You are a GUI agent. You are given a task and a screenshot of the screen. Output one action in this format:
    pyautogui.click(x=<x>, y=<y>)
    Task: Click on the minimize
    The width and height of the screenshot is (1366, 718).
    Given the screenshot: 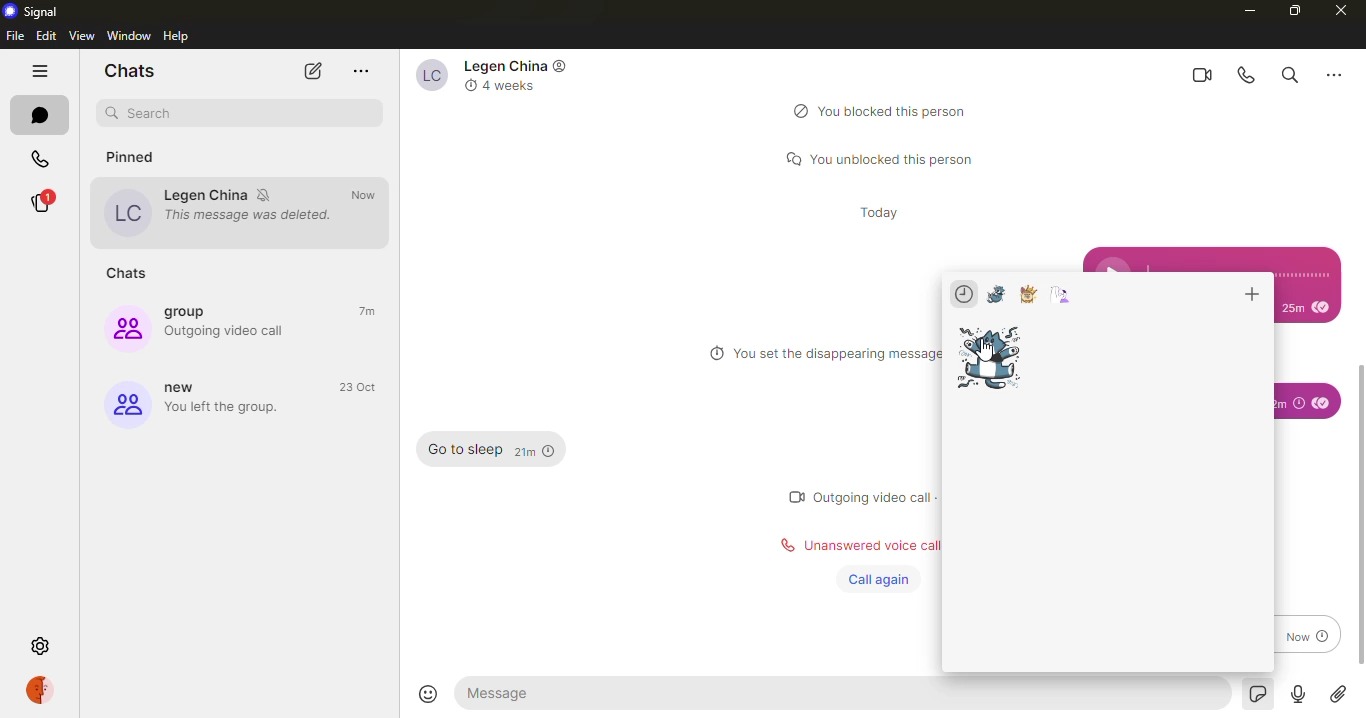 What is the action you would take?
    pyautogui.click(x=1247, y=10)
    